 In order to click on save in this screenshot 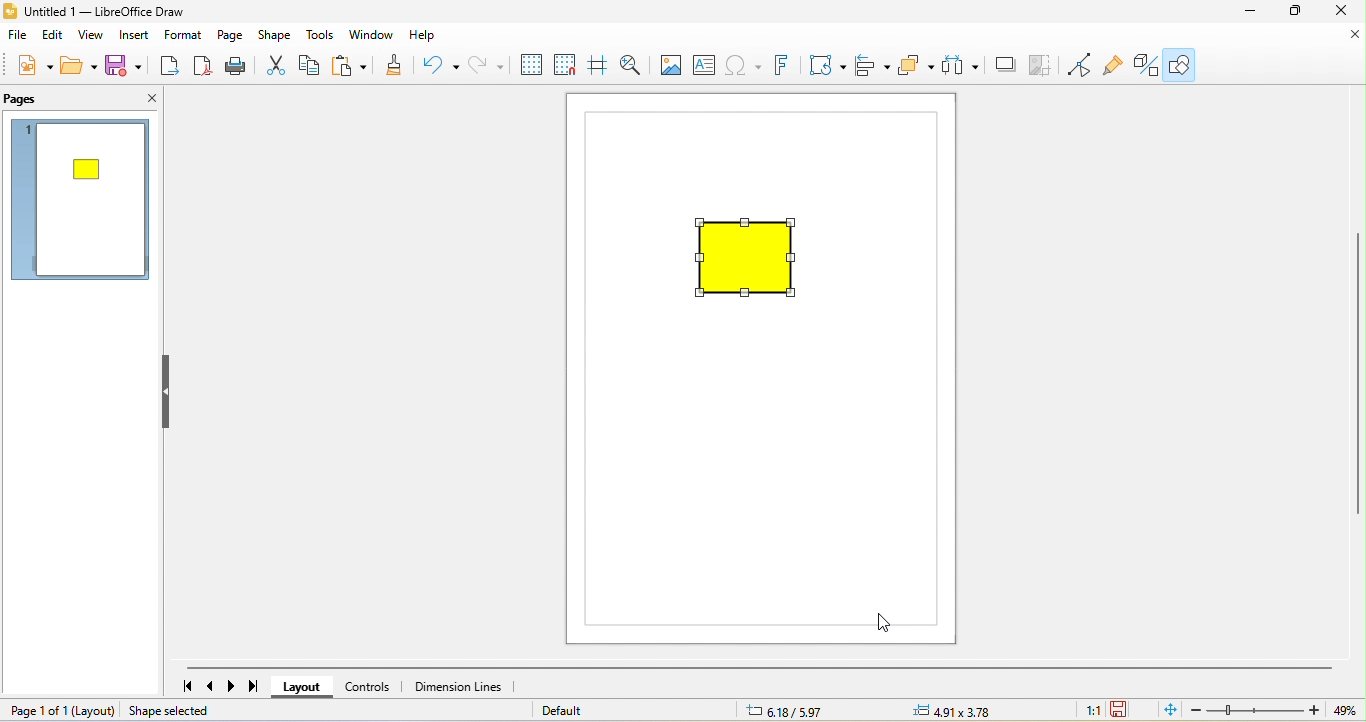, I will do `click(127, 65)`.